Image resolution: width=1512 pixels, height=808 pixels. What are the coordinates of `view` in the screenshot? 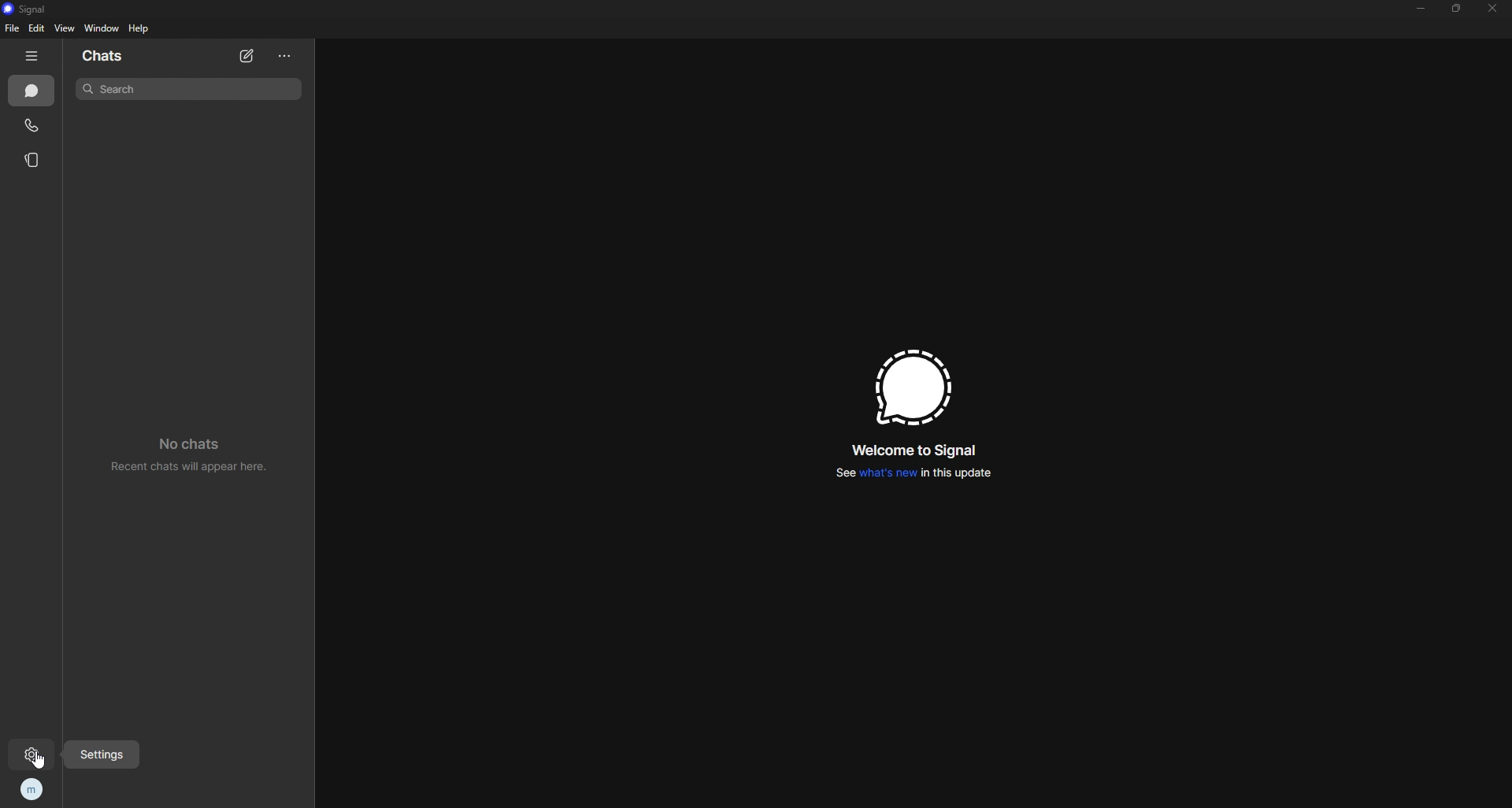 It's located at (65, 28).